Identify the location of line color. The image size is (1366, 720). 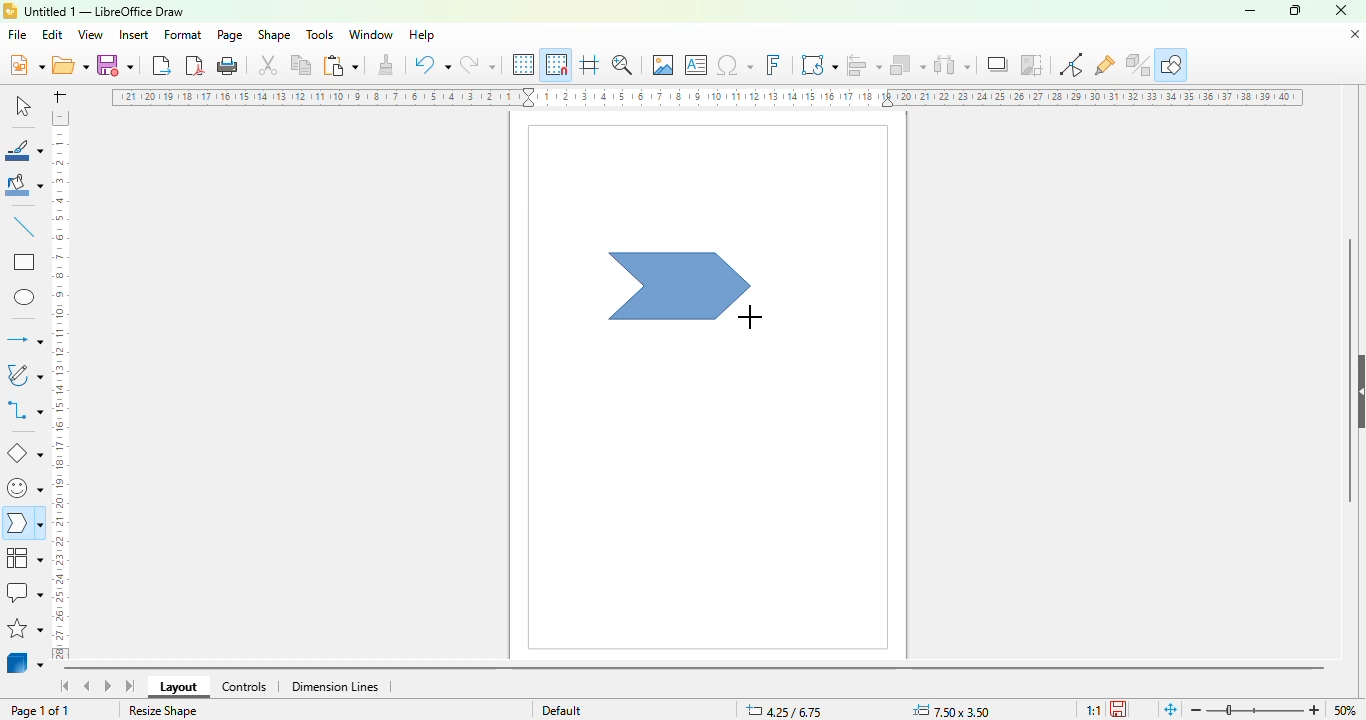
(24, 149).